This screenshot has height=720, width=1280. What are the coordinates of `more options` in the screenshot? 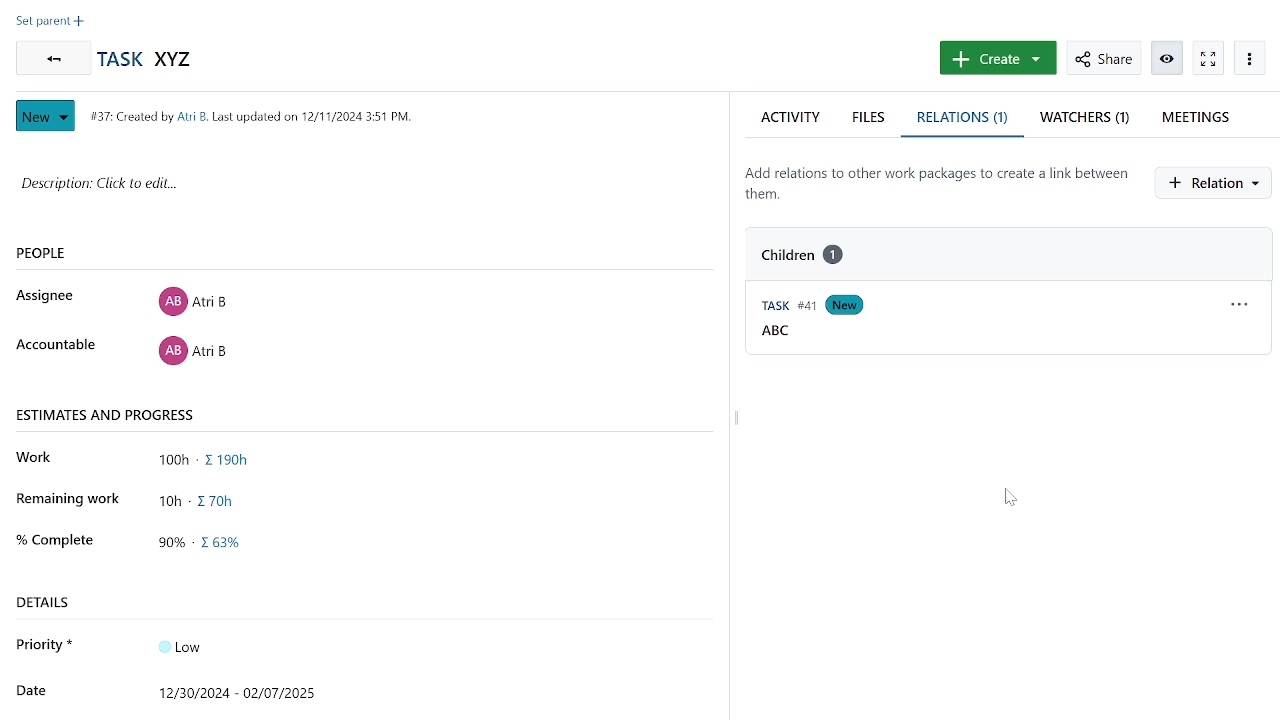 It's located at (1249, 58).